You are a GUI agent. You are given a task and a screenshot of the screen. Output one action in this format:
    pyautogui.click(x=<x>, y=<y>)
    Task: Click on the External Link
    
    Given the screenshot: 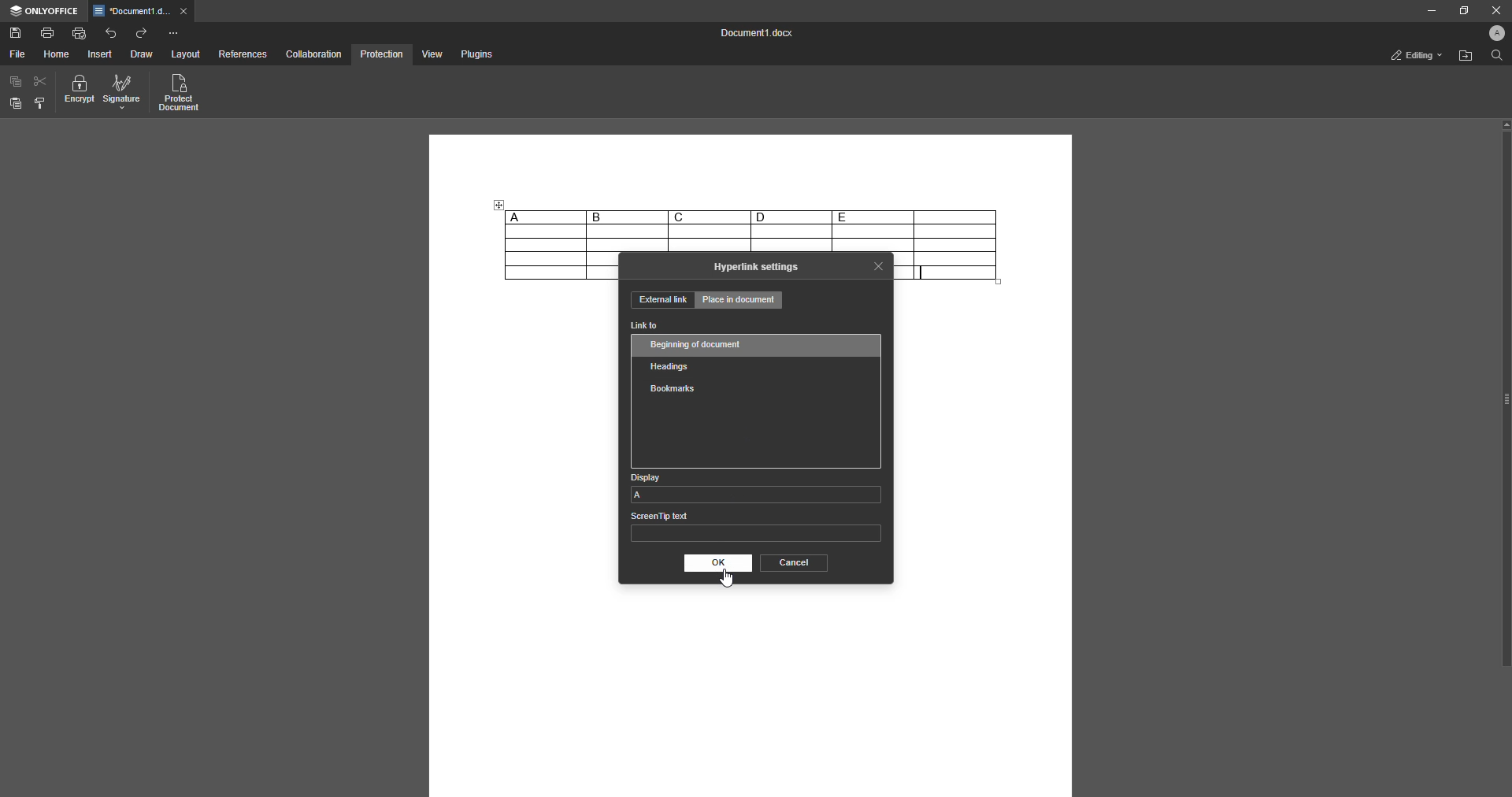 What is the action you would take?
    pyautogui.click(x=661, y=300)
    